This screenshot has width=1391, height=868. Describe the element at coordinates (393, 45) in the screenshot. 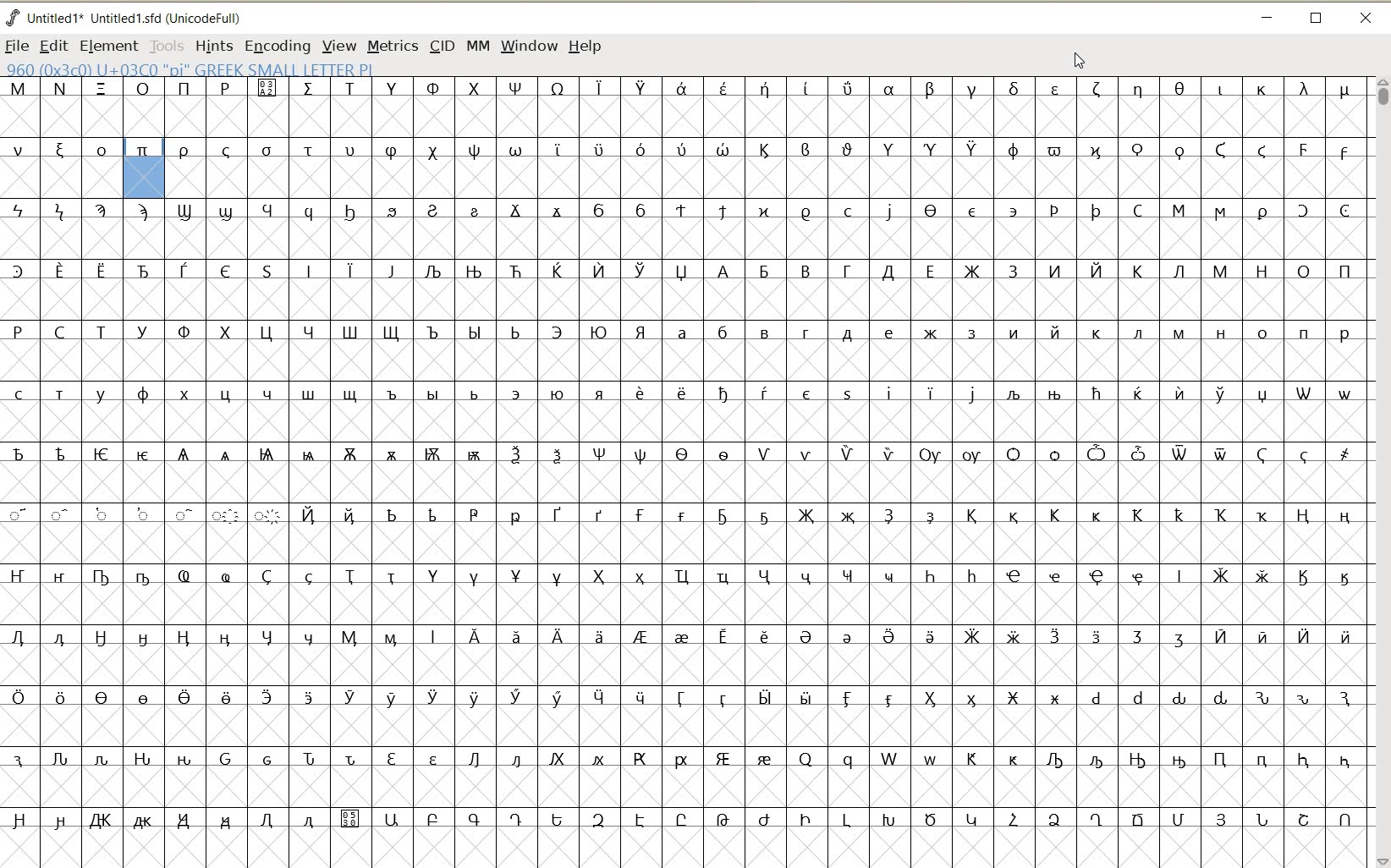

I see `METRICS` at that location.